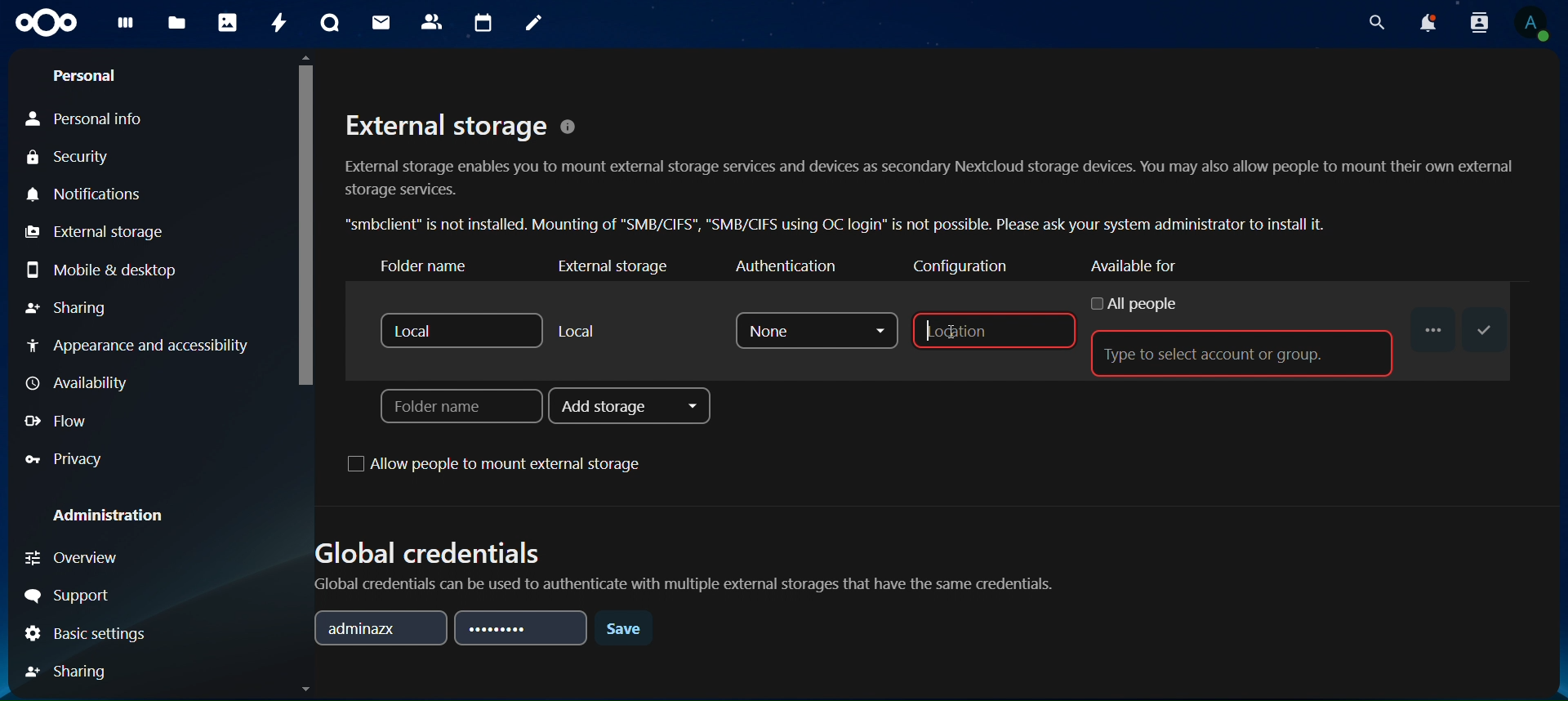 This screenshot has height=701, width=1568. I want to click on notifications, so click(84, 194).